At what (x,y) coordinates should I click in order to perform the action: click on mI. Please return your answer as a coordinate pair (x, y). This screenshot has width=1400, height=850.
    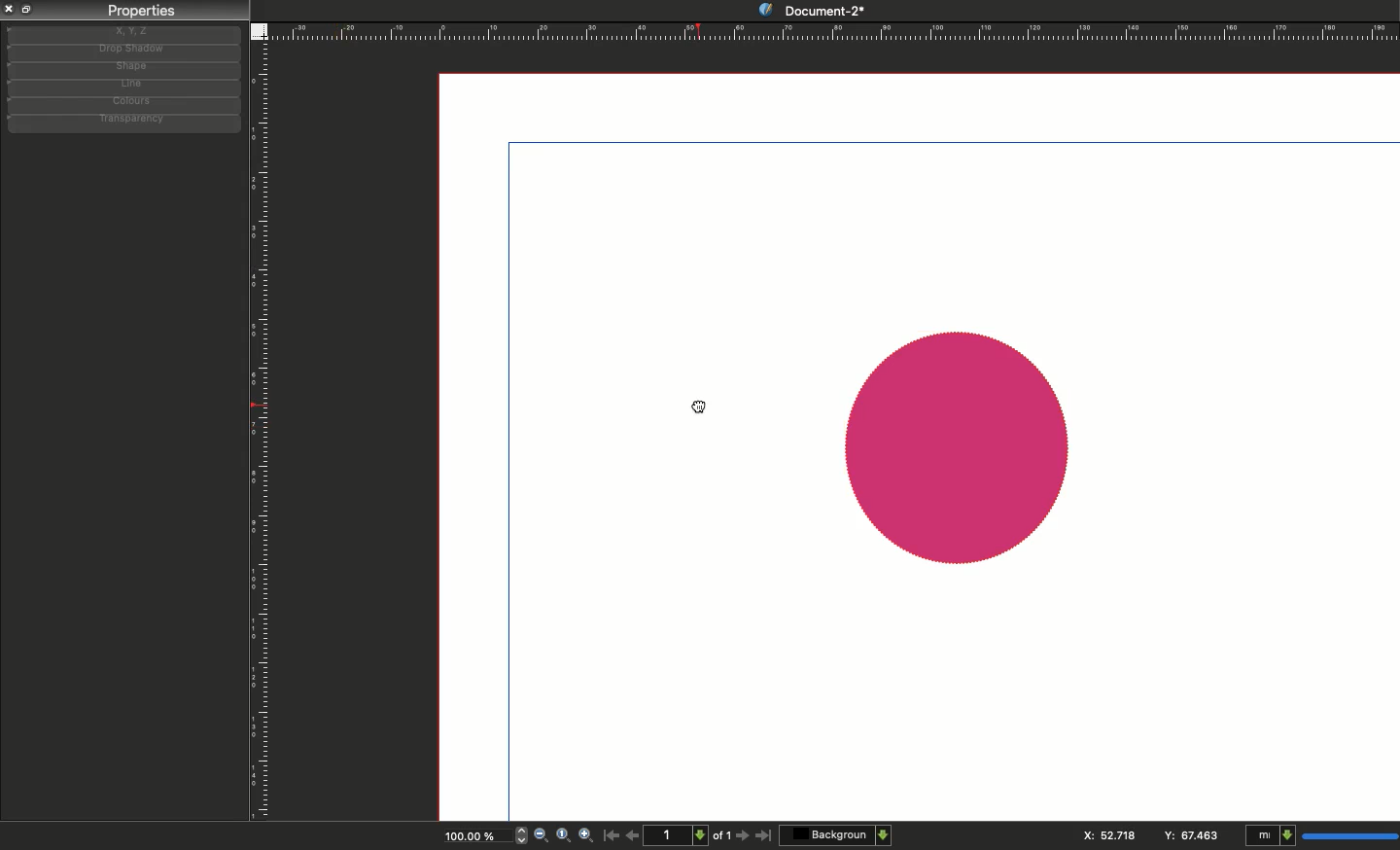
    Looking at the image, I should click on (1318, 836).